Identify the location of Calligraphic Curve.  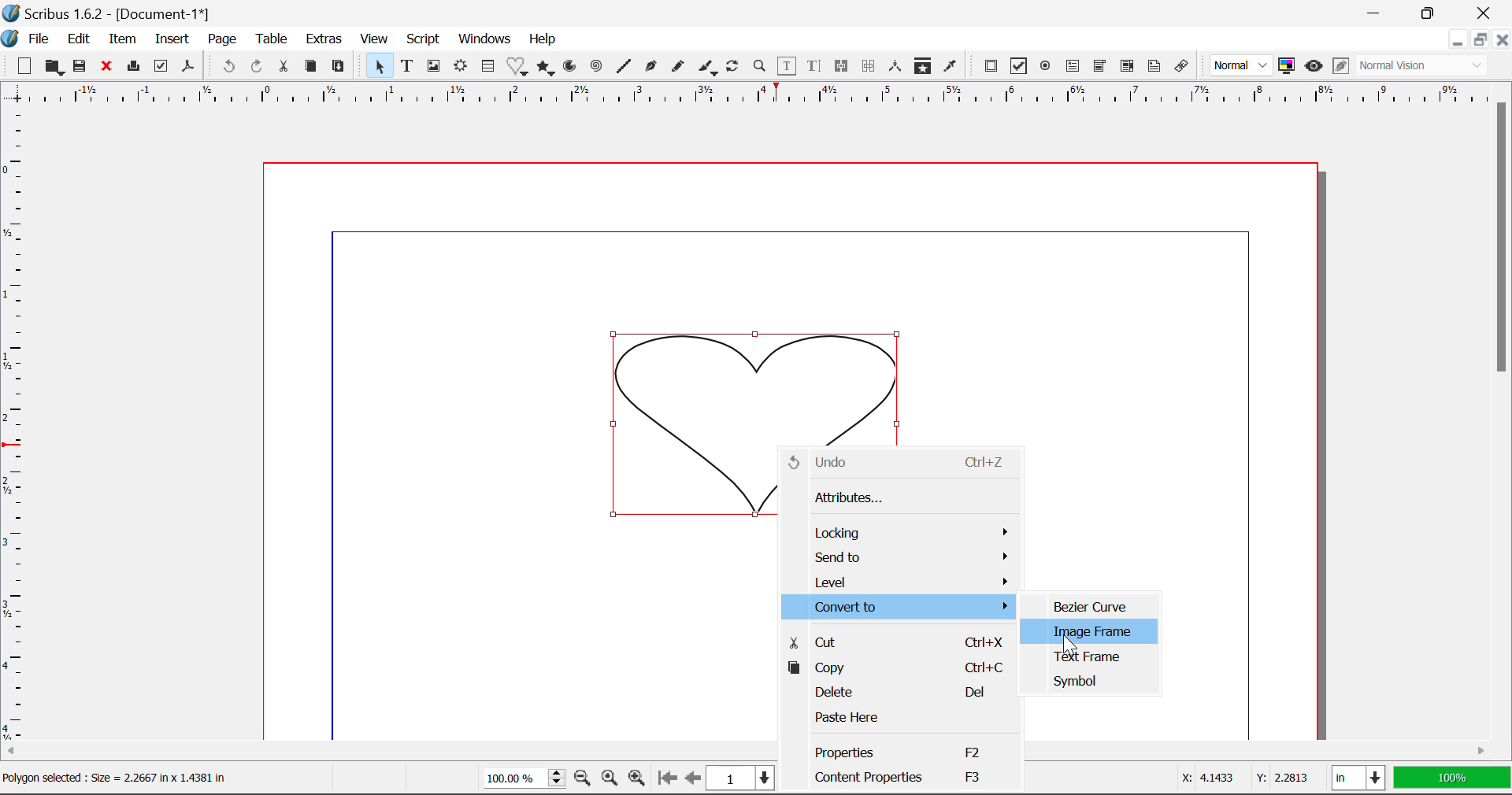
(708, 69).